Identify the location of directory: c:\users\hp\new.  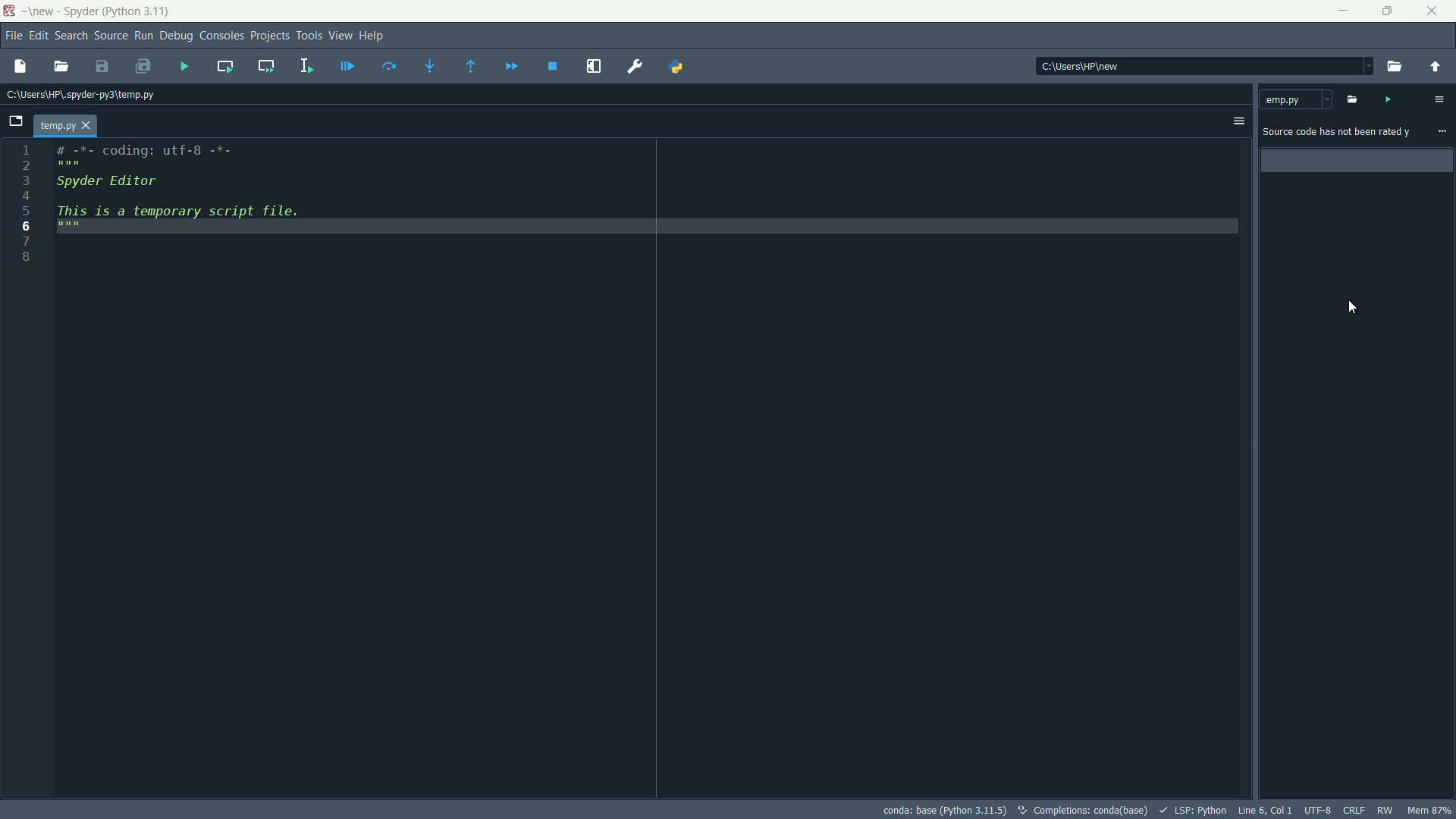
(1082, 67).